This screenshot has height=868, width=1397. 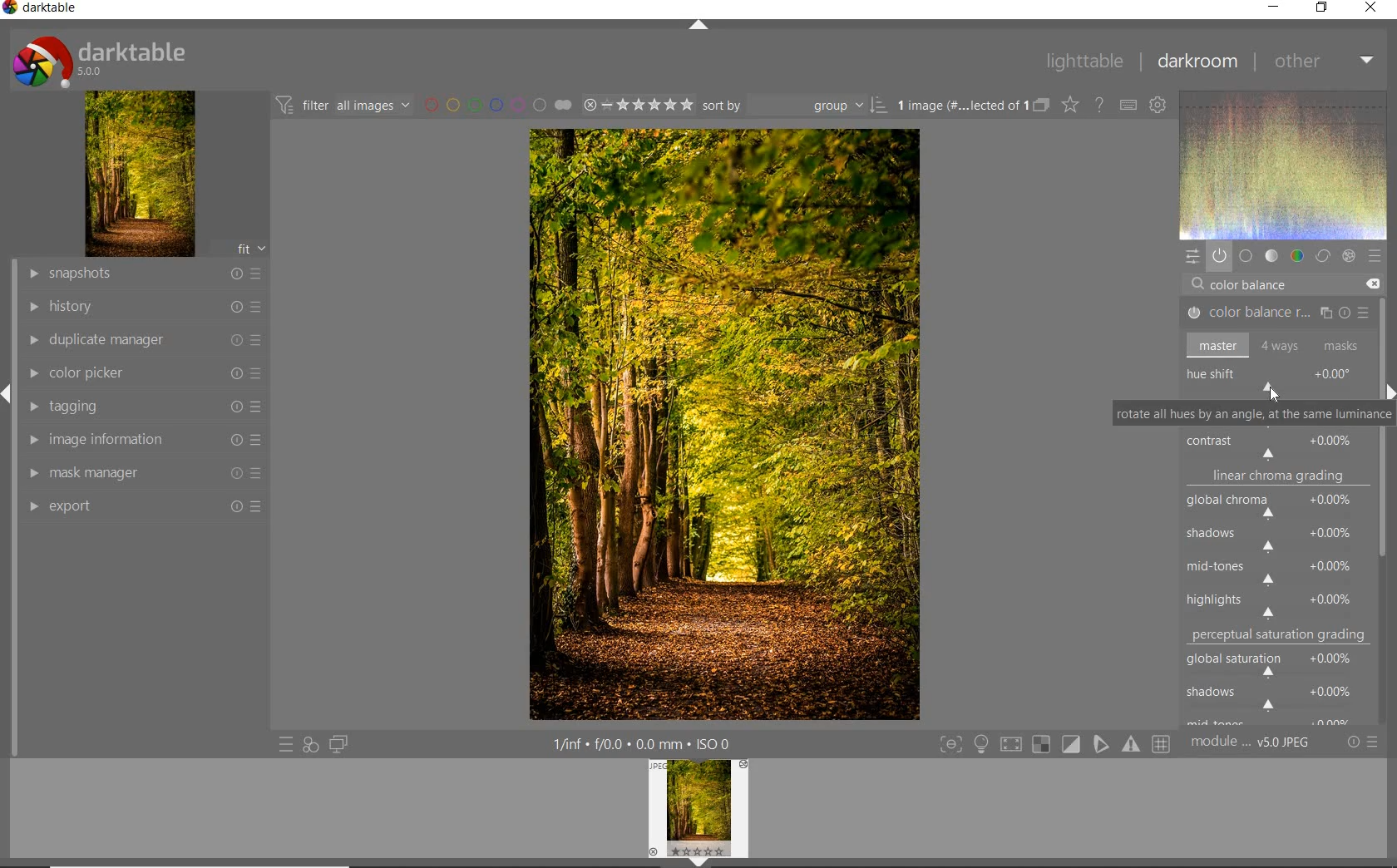 What do you see at coordinates (285, 742) in the screenshot?
I see `quick access to preset` at bounding box center [285, 742].